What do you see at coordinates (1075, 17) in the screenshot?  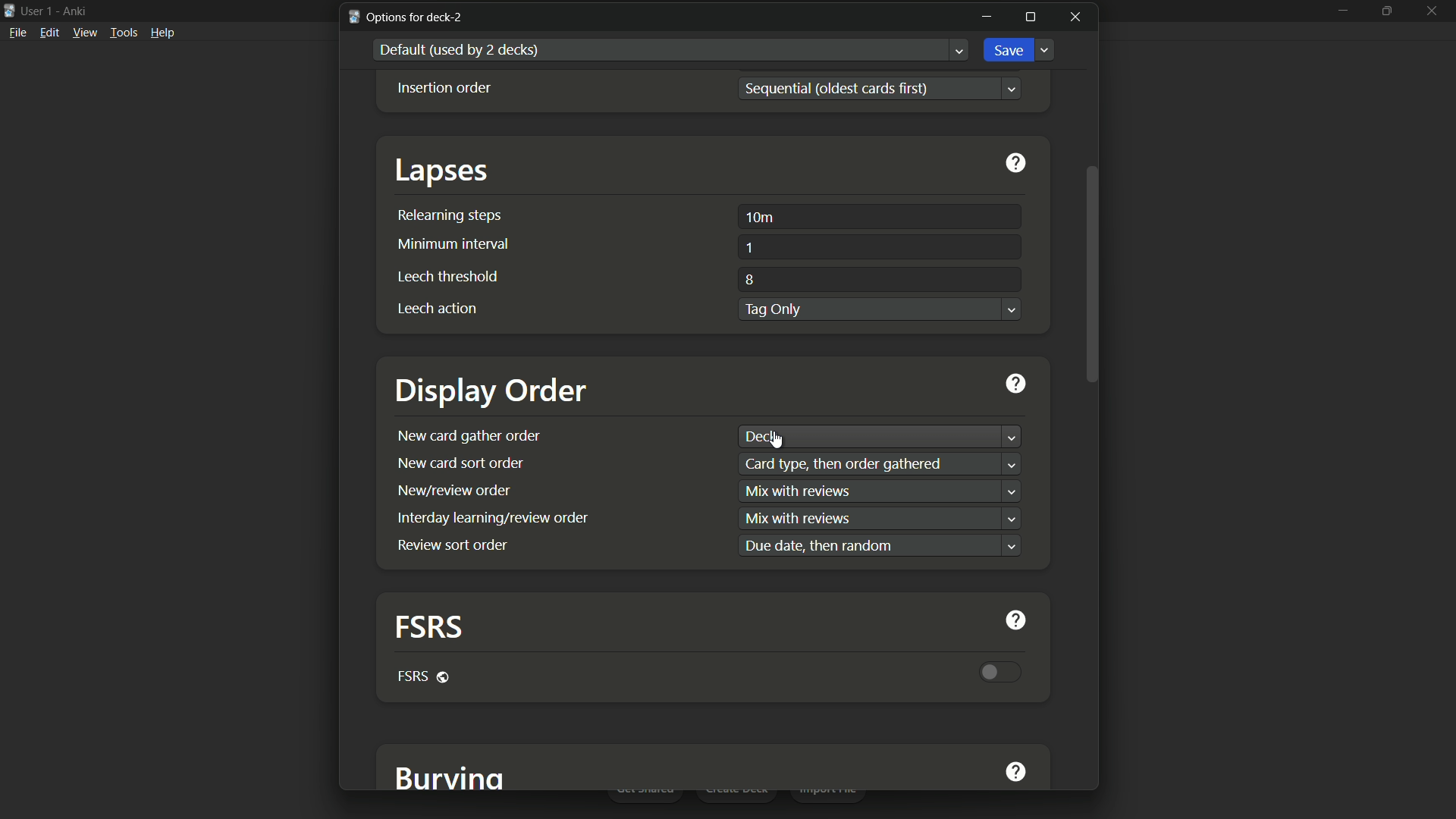 I see `close window` at bounding box center [1075, 17].